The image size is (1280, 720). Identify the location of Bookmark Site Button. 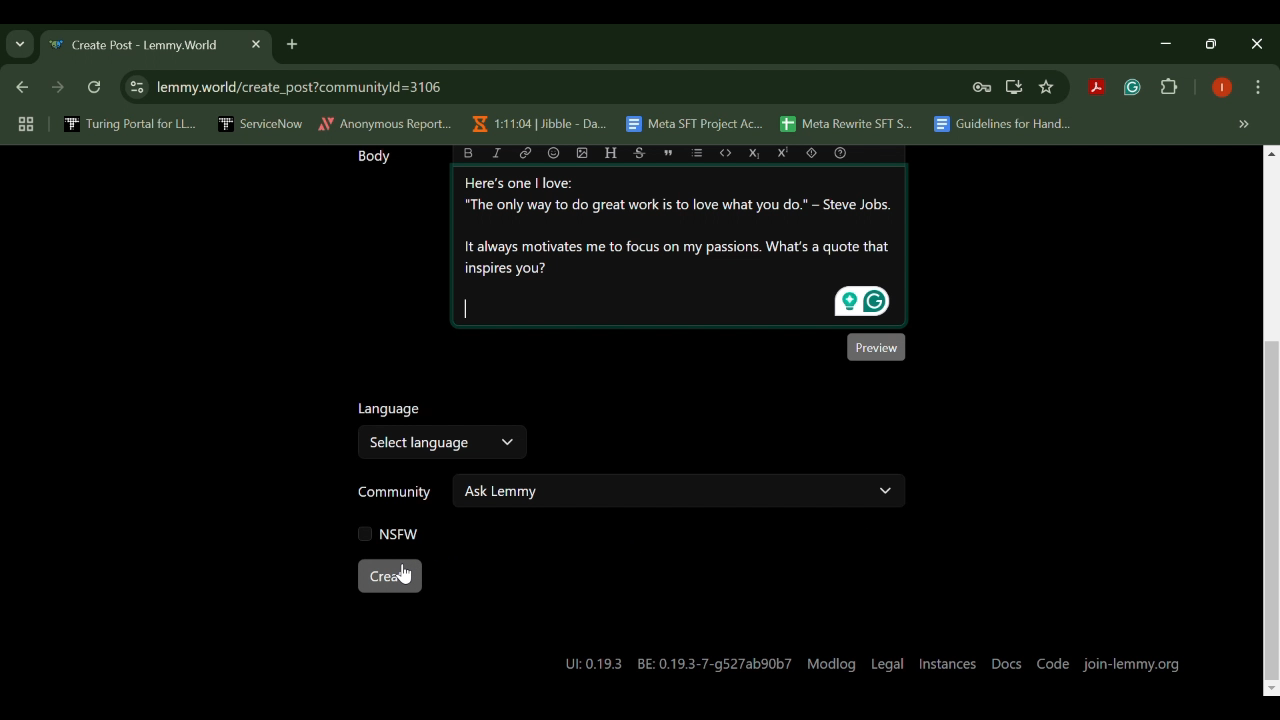
(1046, 88).